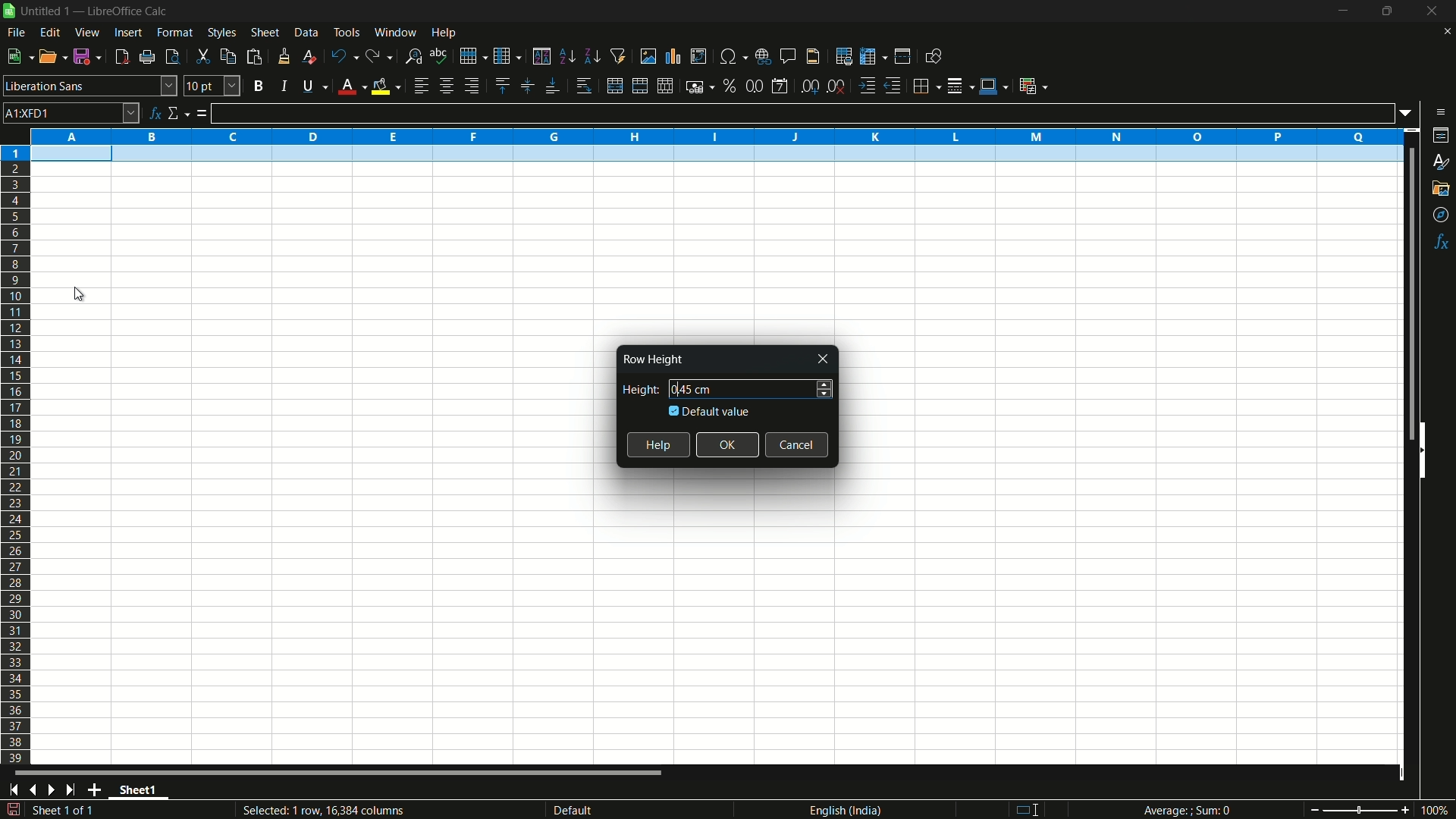  I want to click on Selected: 1 row, 16,384 columns, so click(320, 809).